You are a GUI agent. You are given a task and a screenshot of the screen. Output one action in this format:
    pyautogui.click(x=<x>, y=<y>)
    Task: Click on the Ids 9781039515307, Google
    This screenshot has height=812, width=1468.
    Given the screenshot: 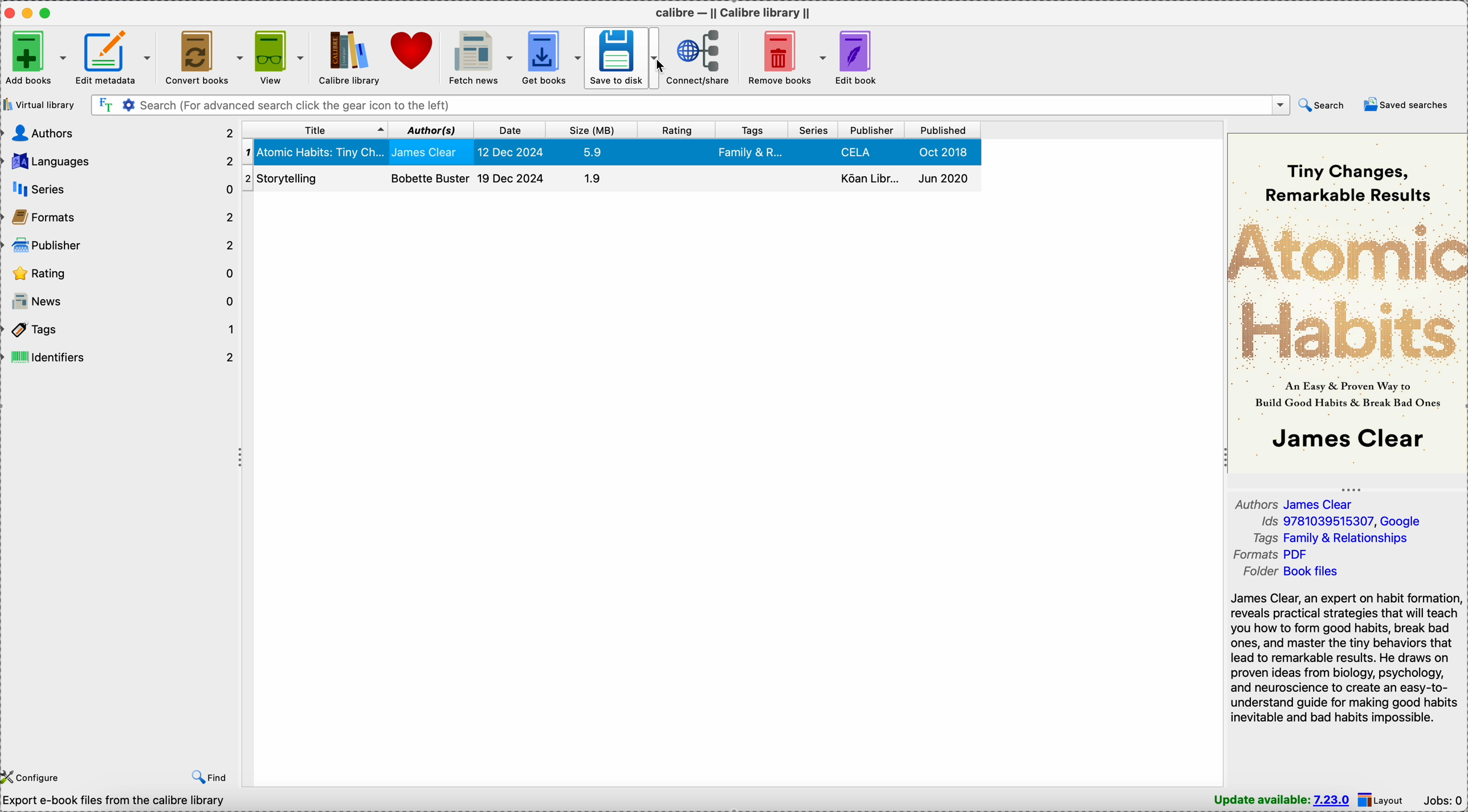 What is the action you would take?
    pyautogui.click(x=1341, y=521)
    